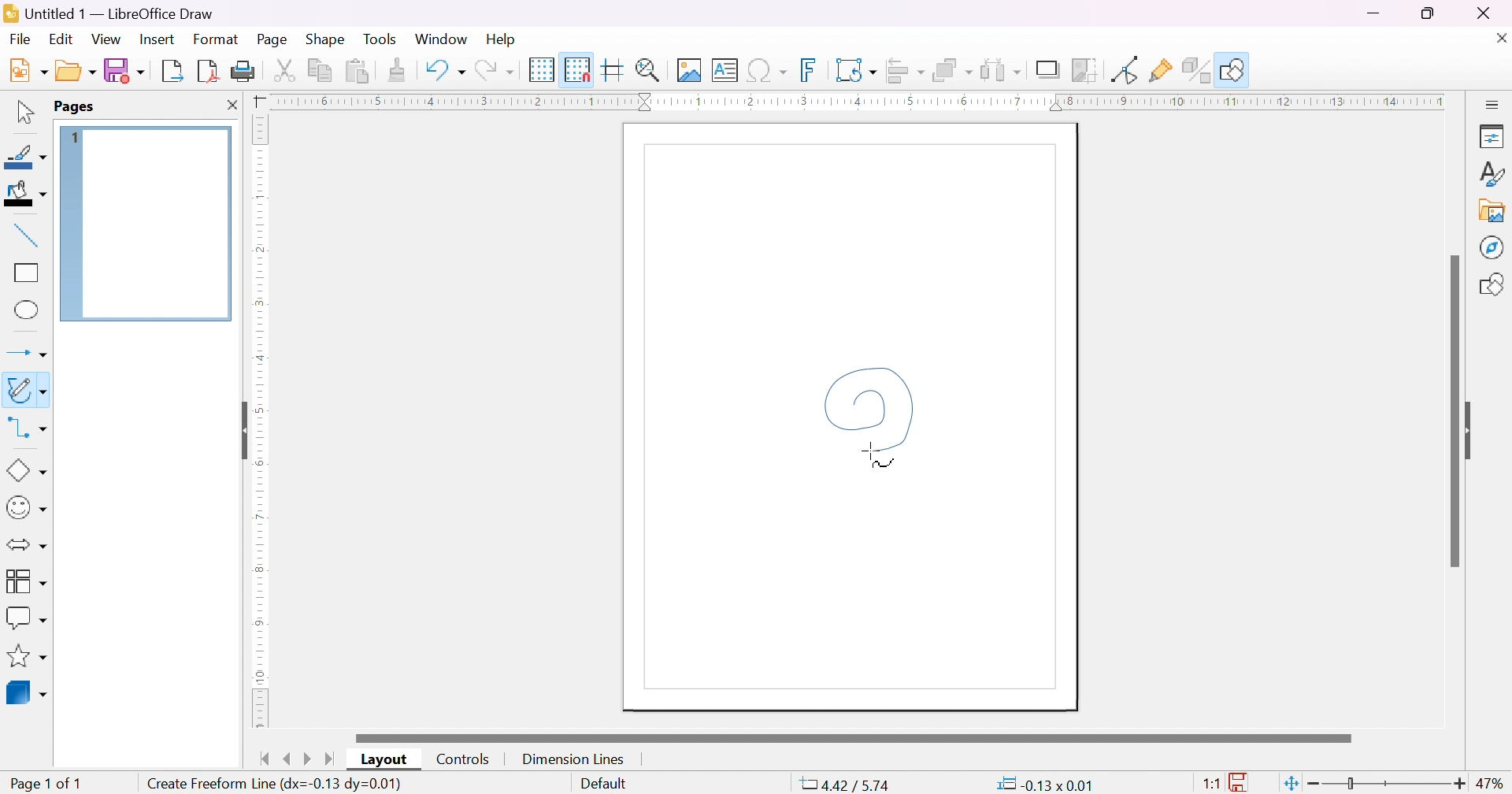 The width and height of the screenshot is (1512, 794). What do you see at coordinates (445, 70) in the screenshot?
I see `undo` at bounding box center [445, 70].